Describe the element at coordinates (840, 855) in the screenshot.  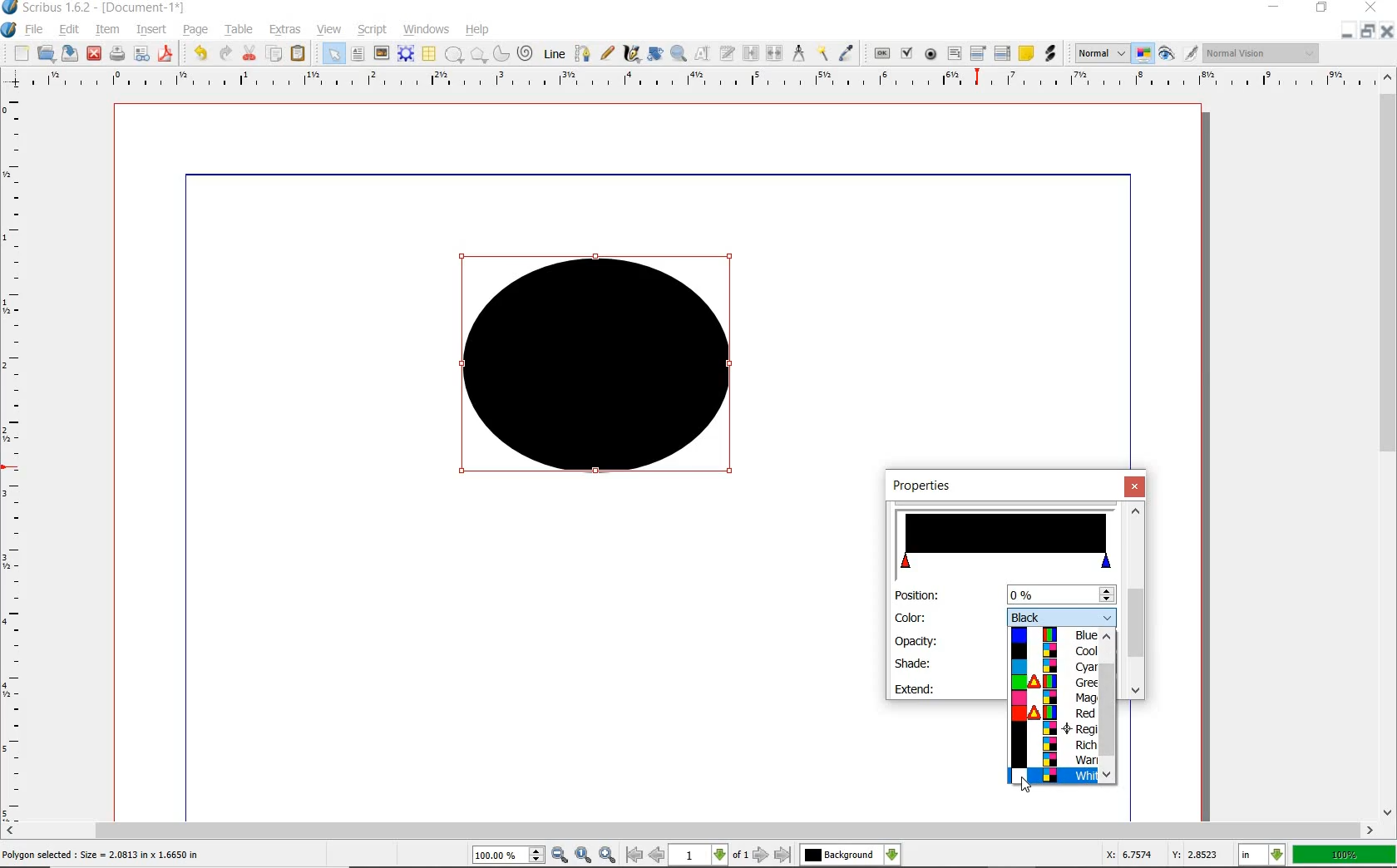
I see `` at that location.